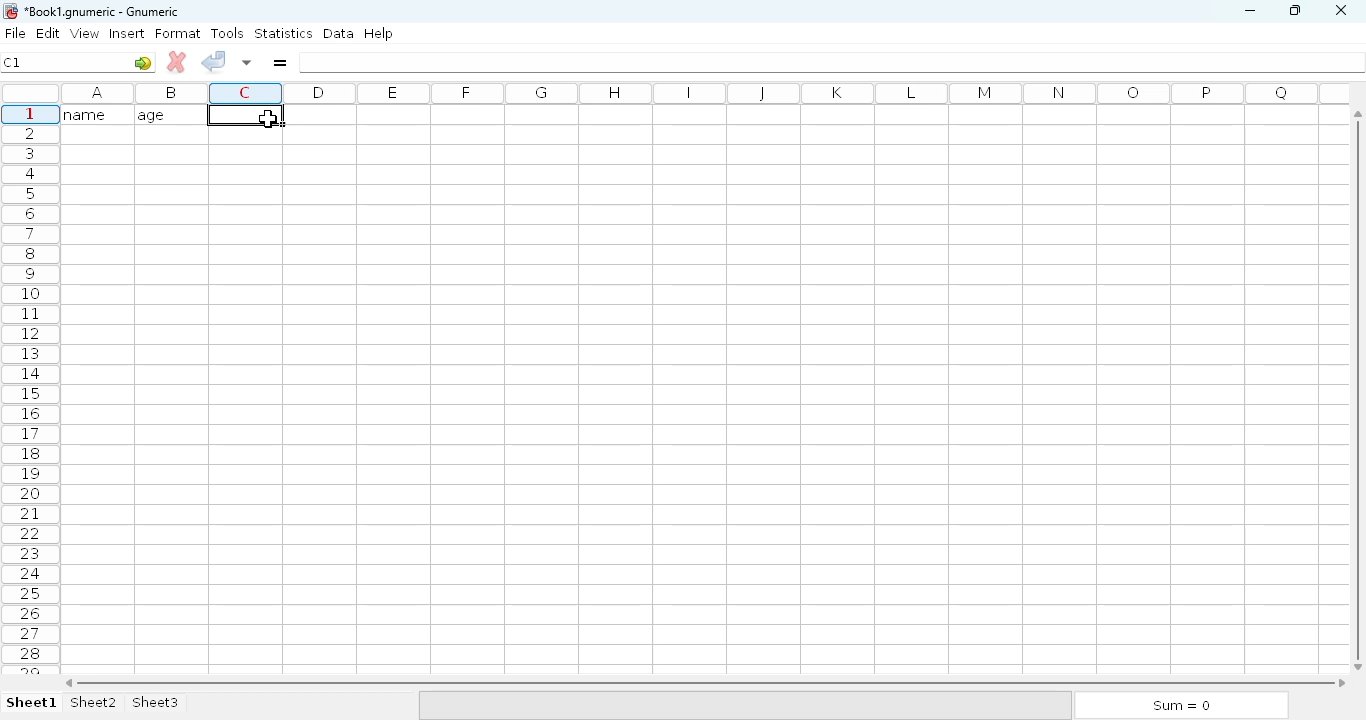 Image resolution: width=1366 pixels, height=720 pixels. Describe the element at coordinates (178, 33) in the screenshot. I see `format` at that location.